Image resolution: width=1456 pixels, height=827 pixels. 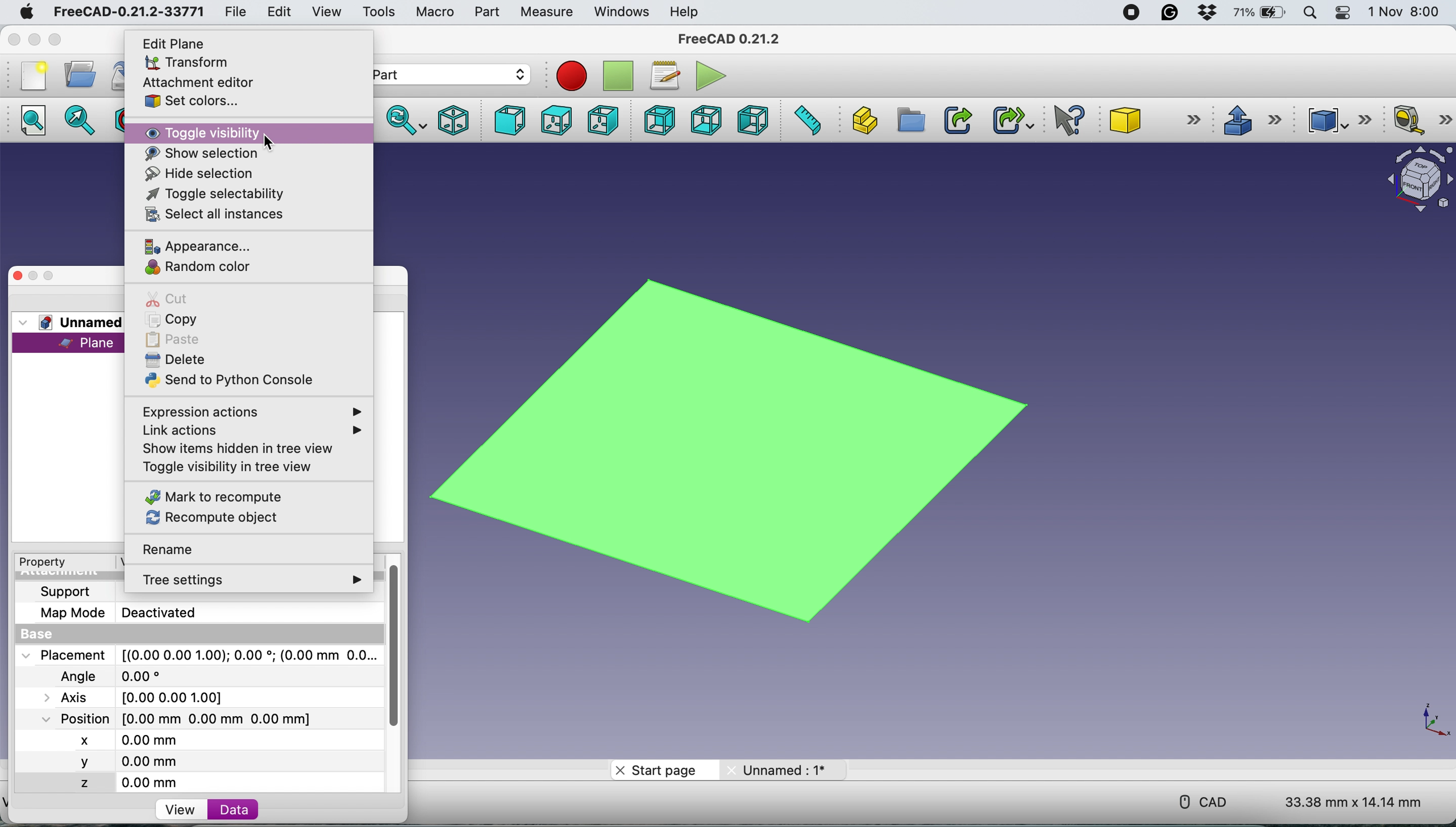 What do you see at coordinates (510, 120) in the screenshot?
I see `front` at bounding box center [510, 120].